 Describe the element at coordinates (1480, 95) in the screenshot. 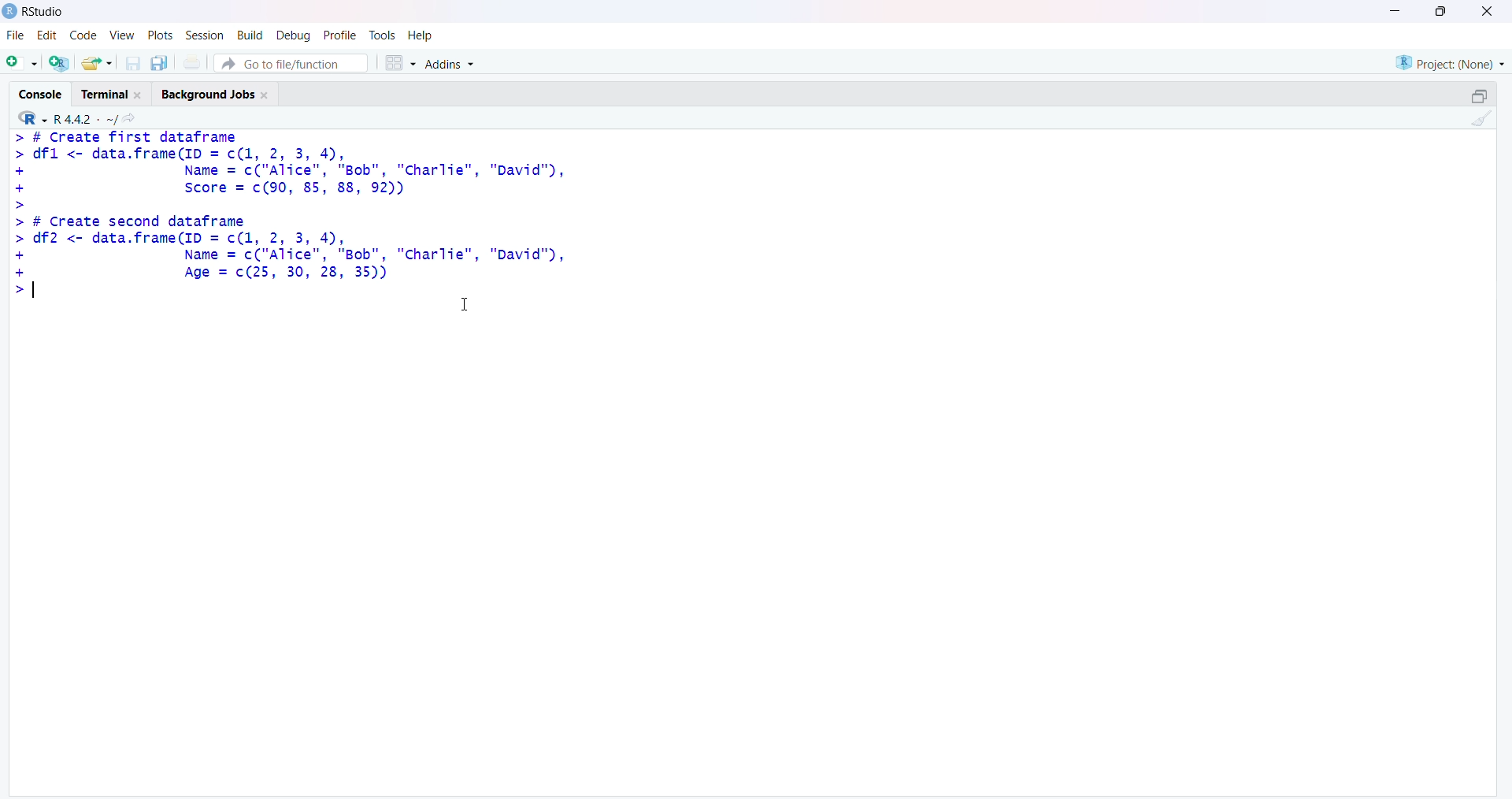

I see `open in separate window` at that location.